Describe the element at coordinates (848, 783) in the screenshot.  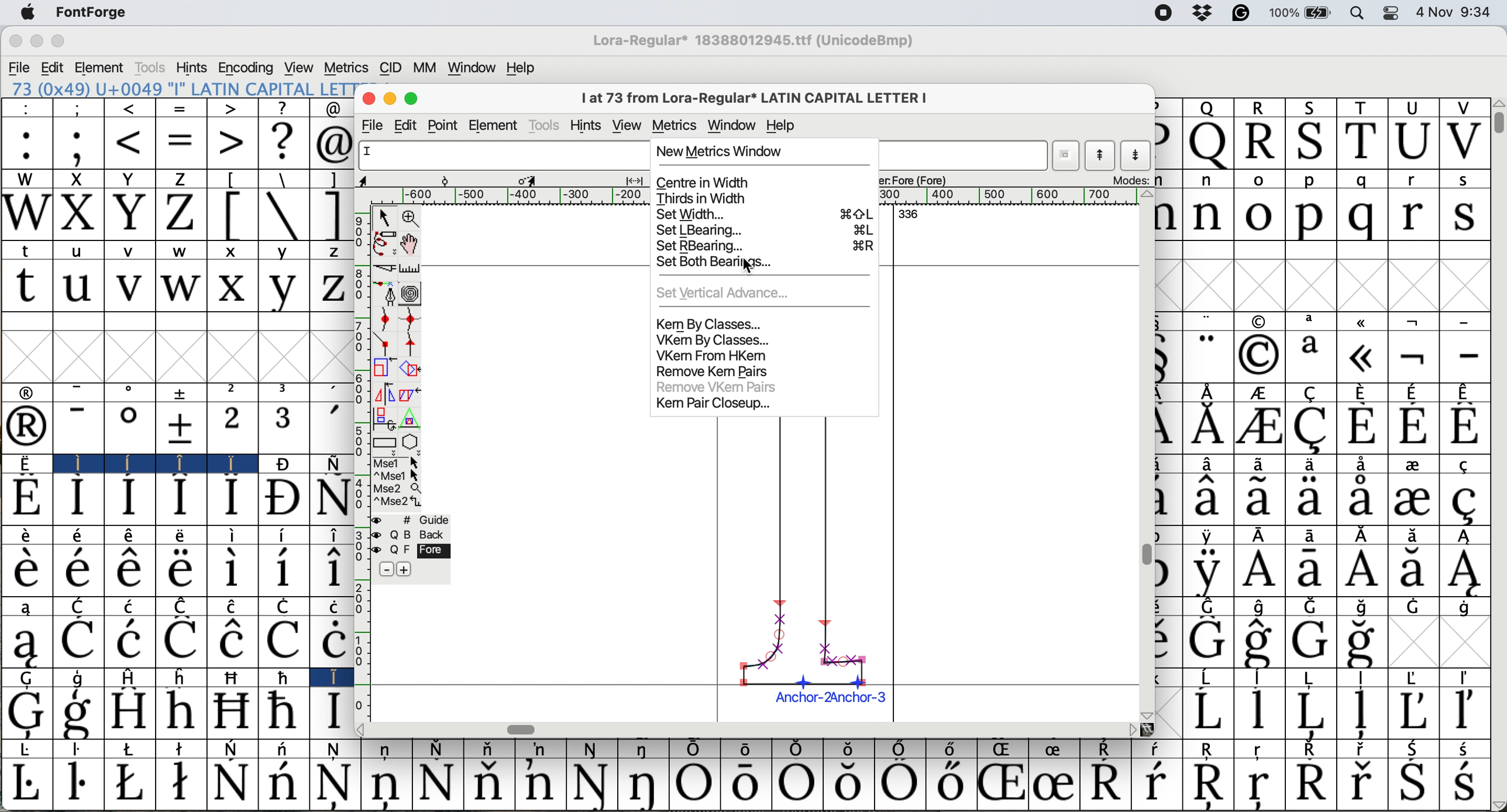
I see `Symbol` at that location.